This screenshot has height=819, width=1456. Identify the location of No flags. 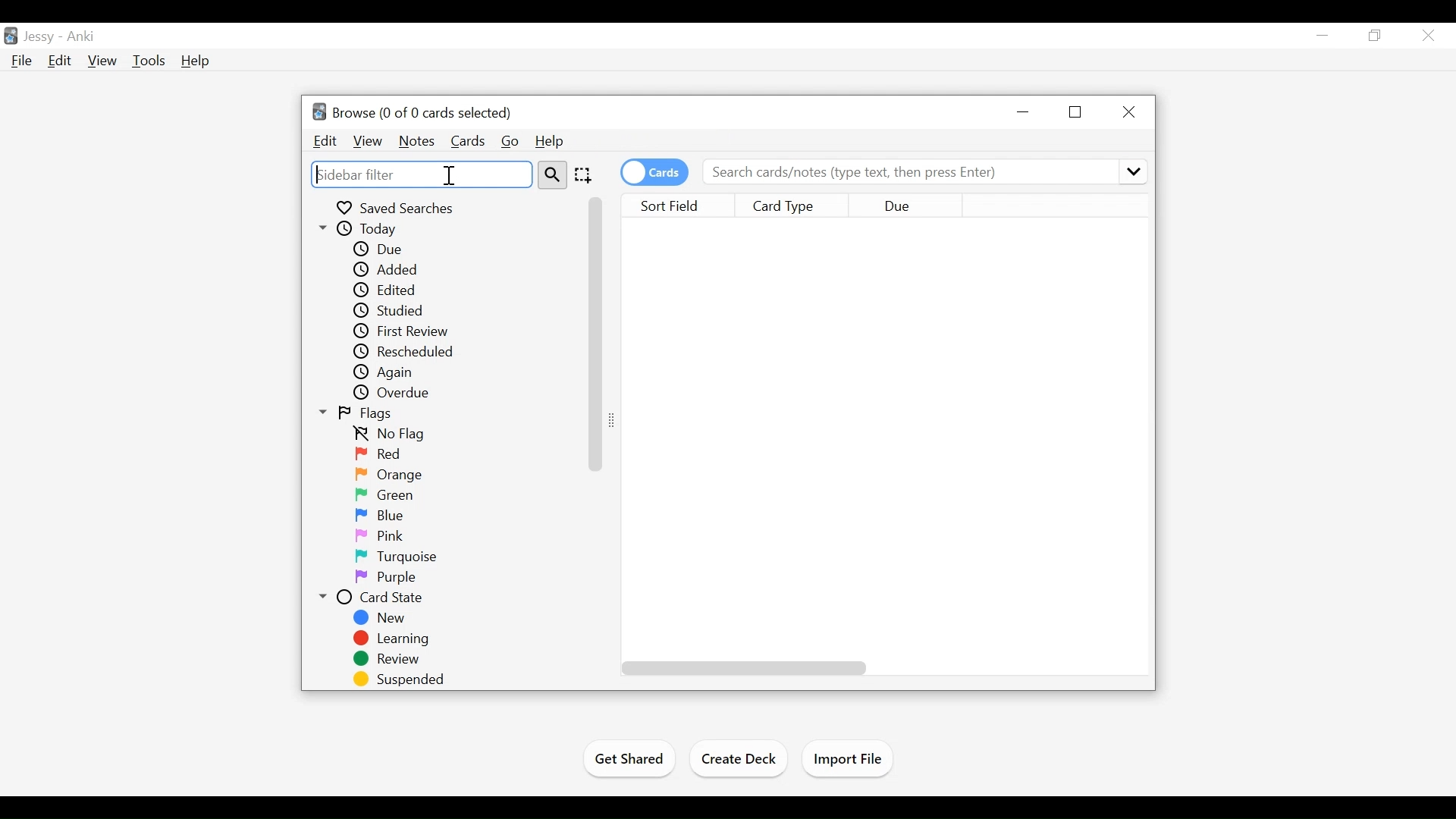
(393, 435).